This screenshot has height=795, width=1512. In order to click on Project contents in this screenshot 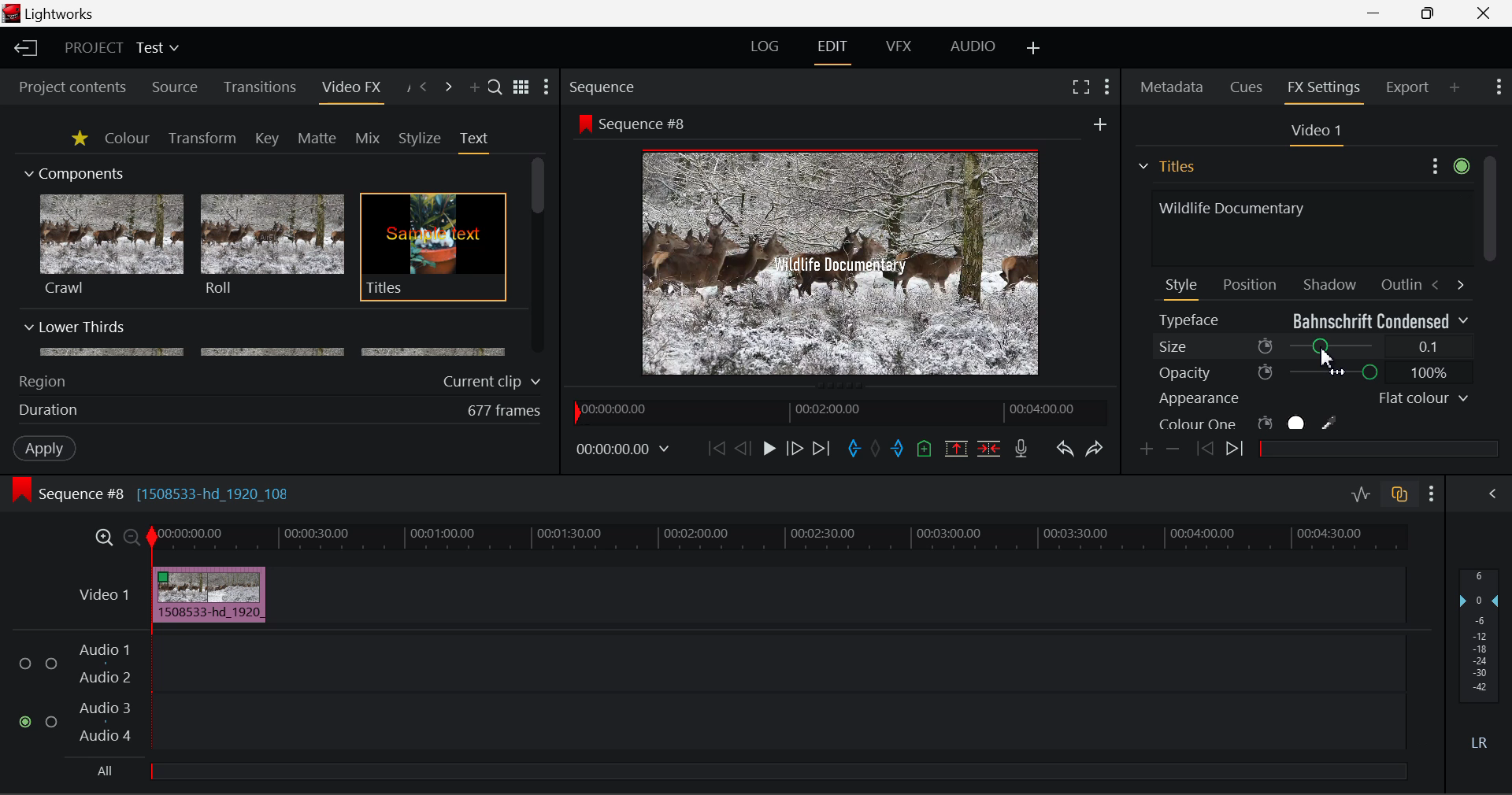, I will do `click(65, 87)`.